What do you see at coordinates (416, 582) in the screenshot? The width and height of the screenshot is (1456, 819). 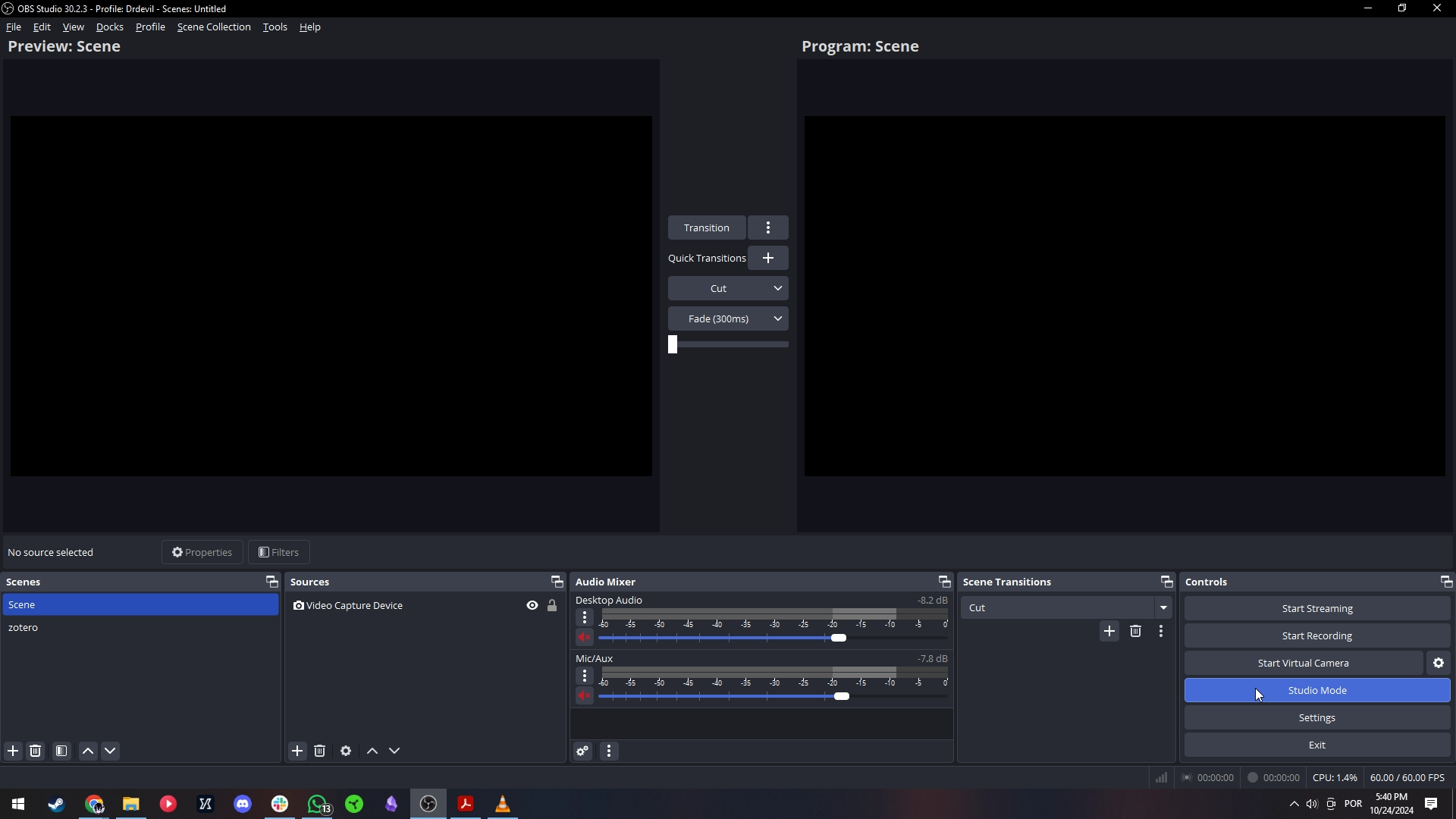 I see `Sources` at bounding box center [416, 582].